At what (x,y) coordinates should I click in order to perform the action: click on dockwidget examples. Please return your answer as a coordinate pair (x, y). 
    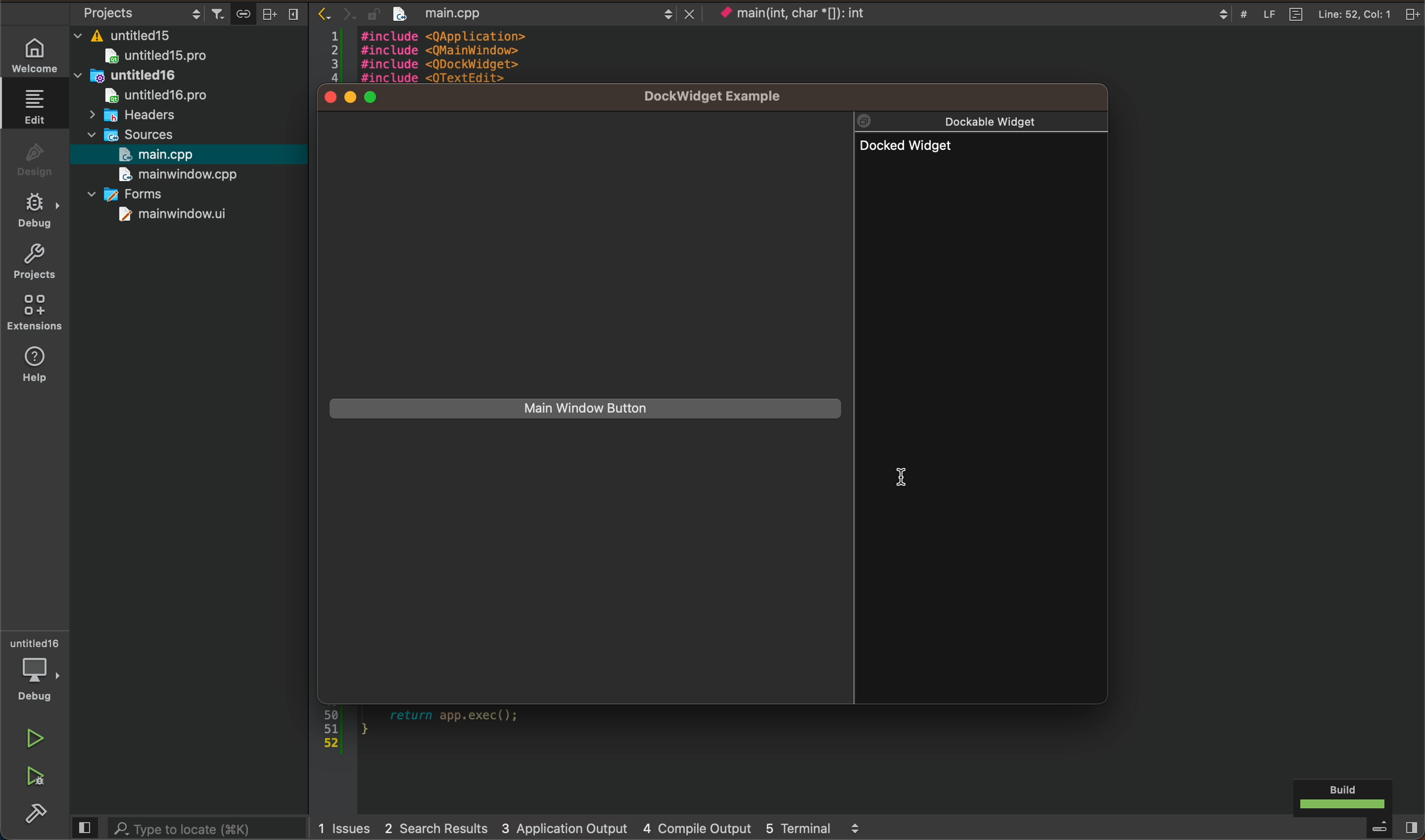
    Looking at the image, I should click on (729, 98).